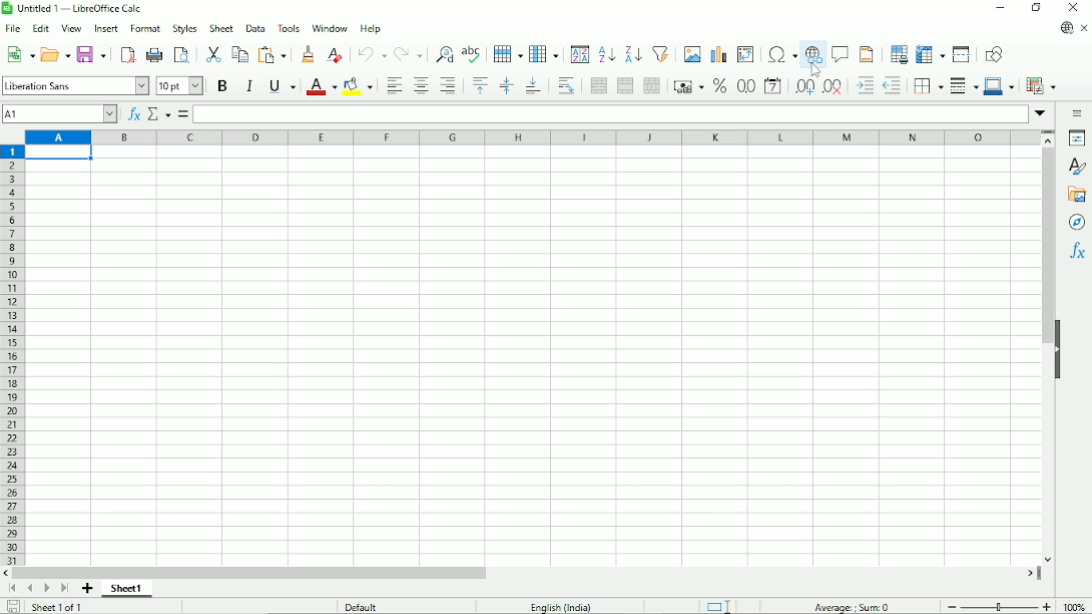 This screenshot has width=1092, height=614. I want to click on styles, so click(186, 28).